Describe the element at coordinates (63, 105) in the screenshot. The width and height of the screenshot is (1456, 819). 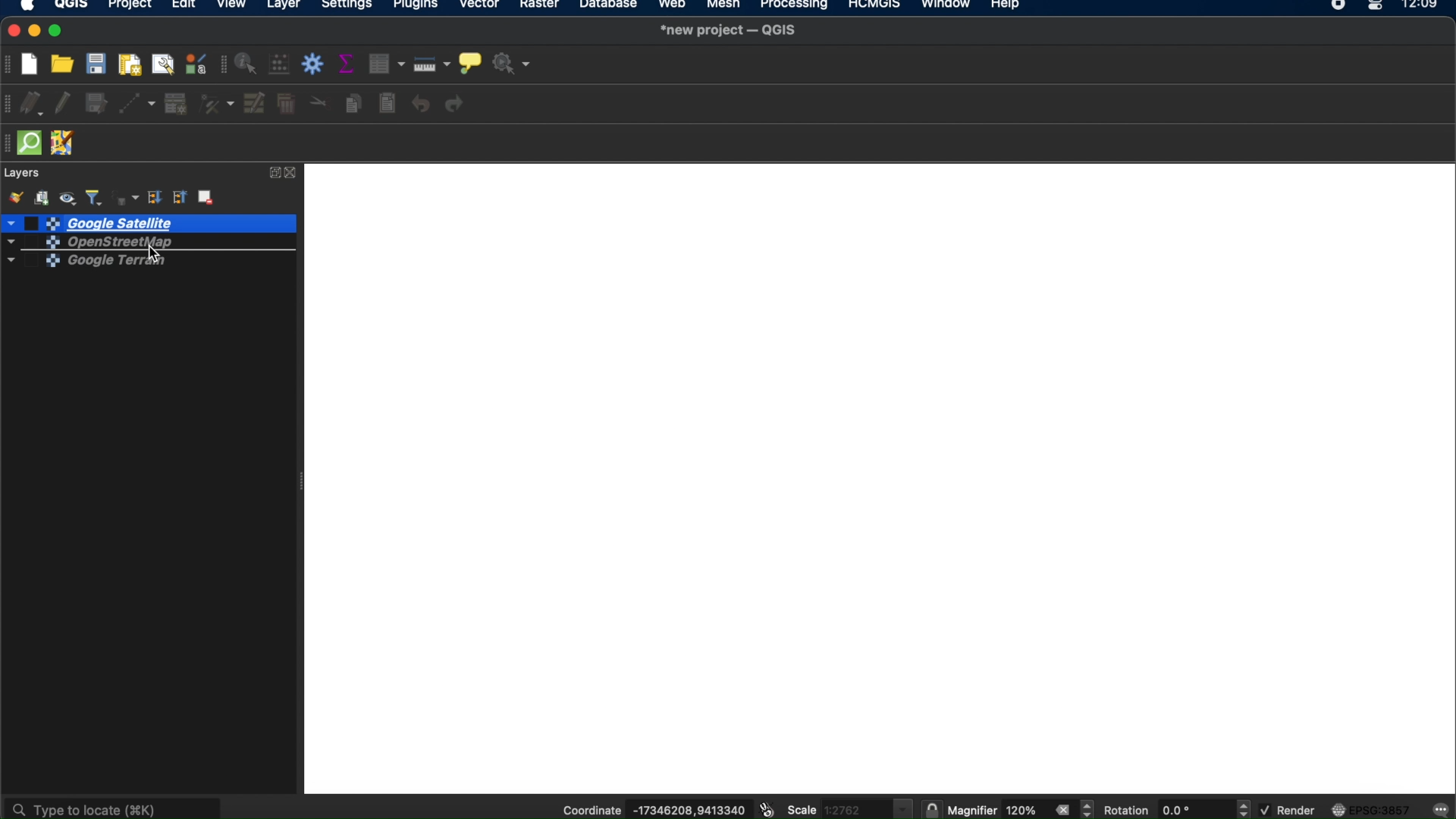
I see `toggle editing` at that location.